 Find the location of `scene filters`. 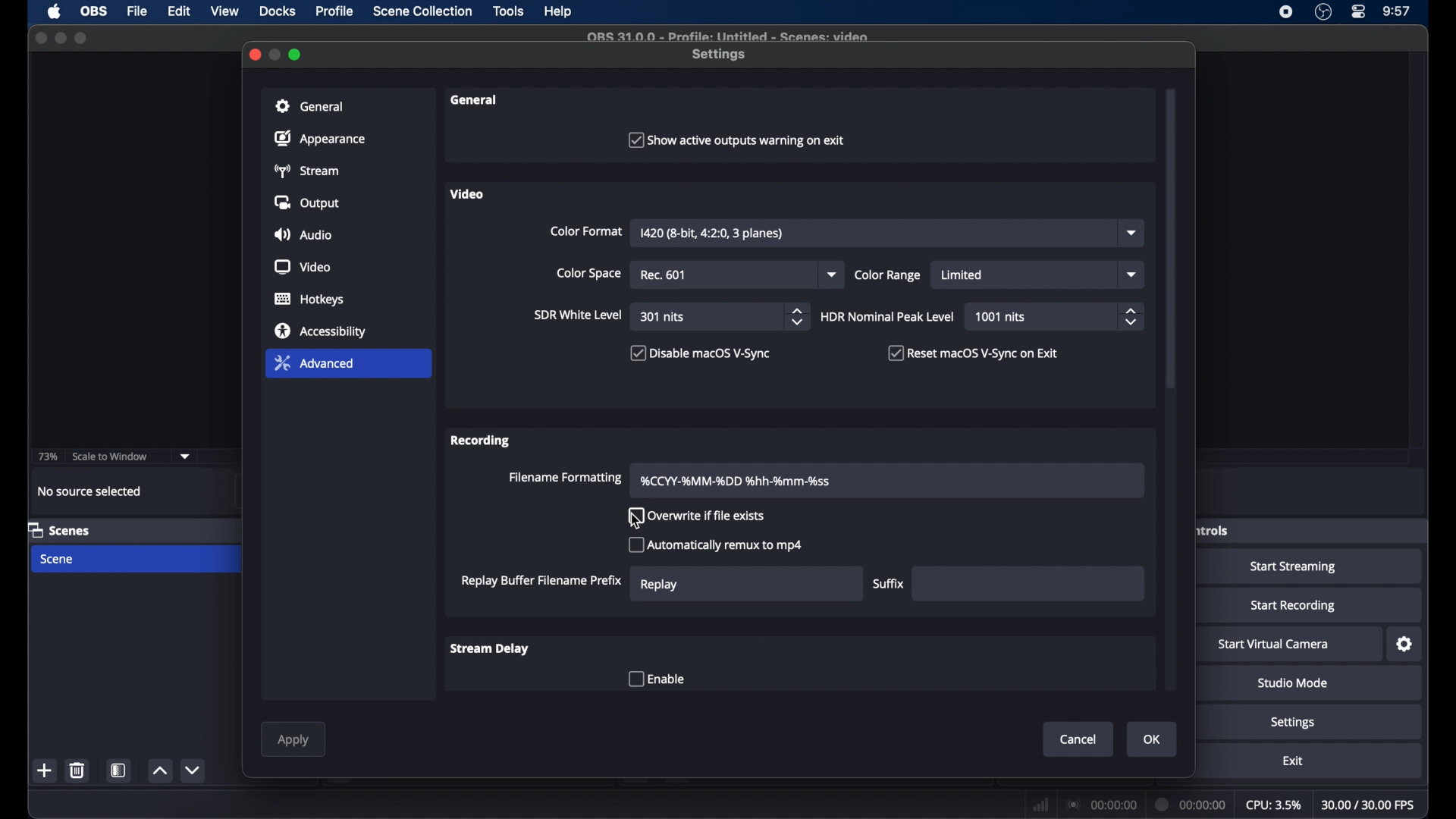

scene filters is located at coordinates (119, 770).